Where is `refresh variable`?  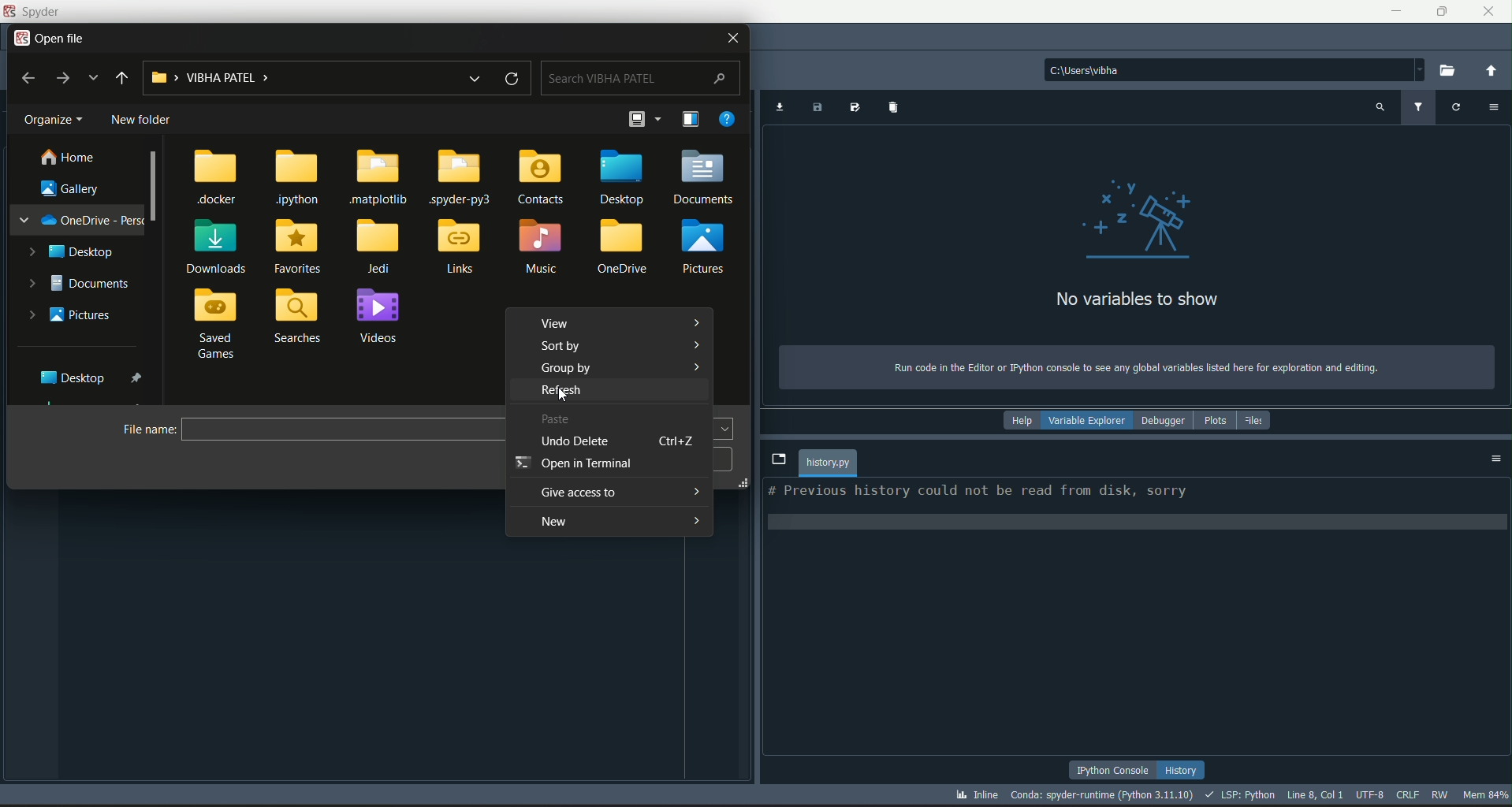
refresh variable is located at coordinates (1456, 109).